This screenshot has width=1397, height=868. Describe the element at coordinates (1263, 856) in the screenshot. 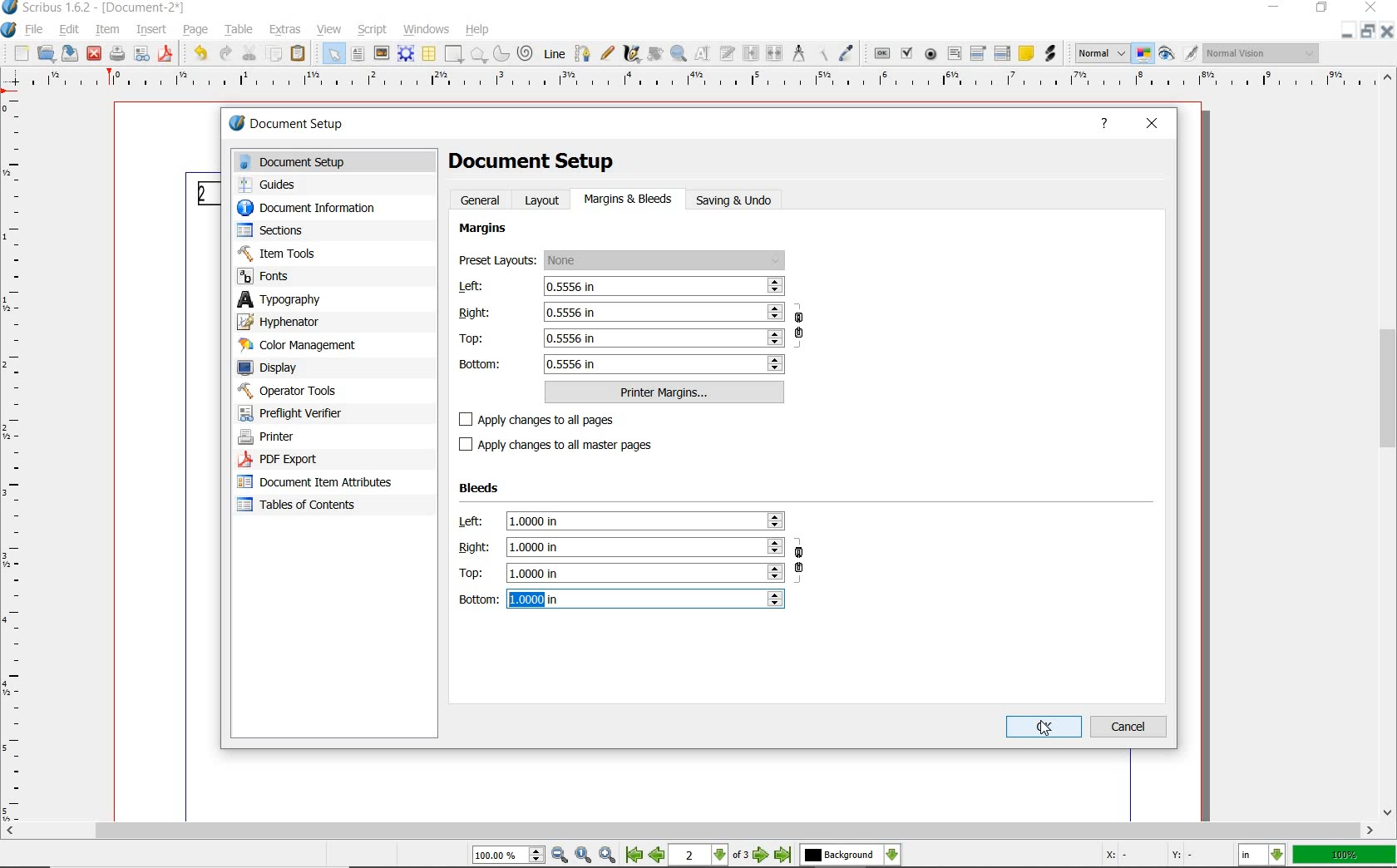

I see `select the current unit: in` at that location.